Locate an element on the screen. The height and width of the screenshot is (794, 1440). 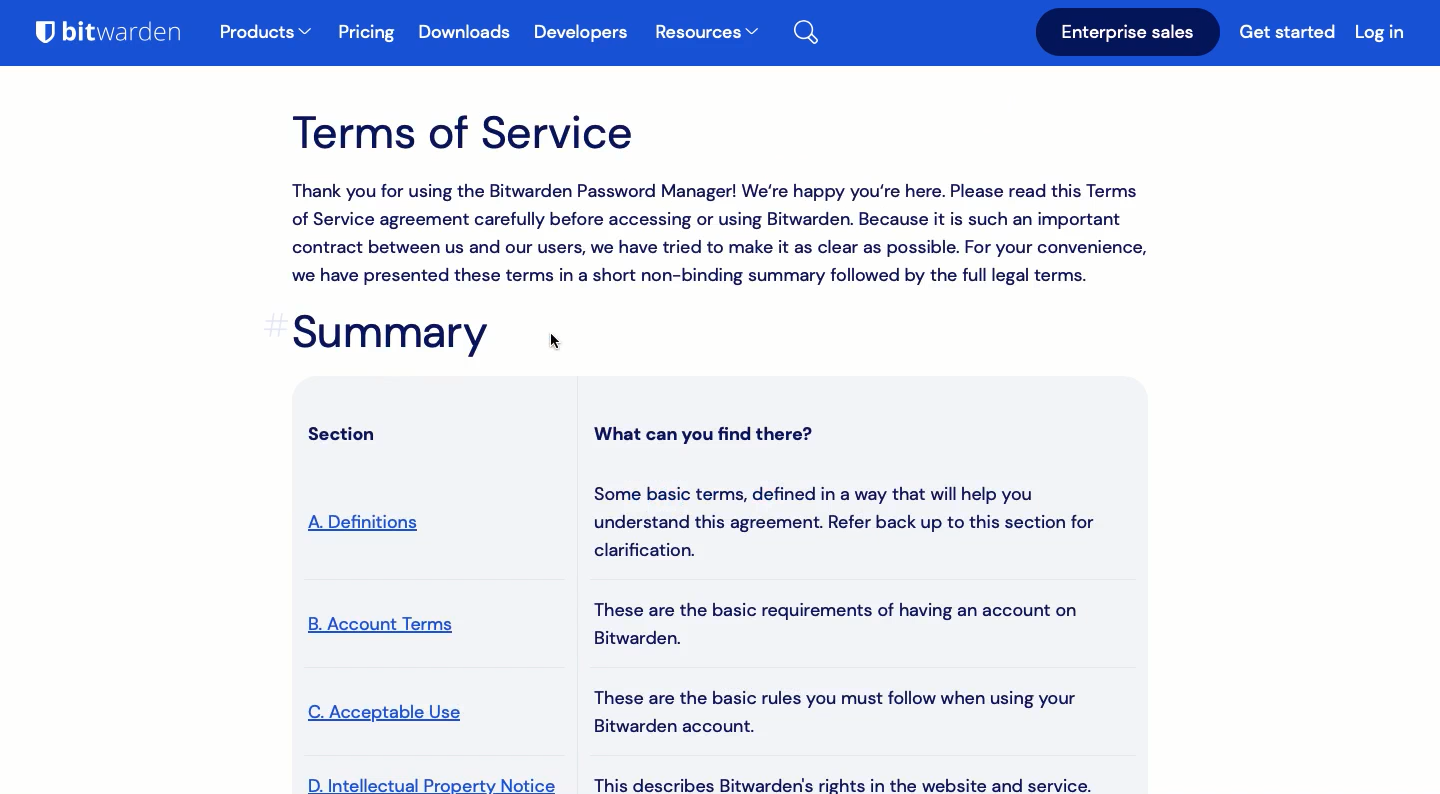
Log in is located at coordinates (1380, 31).